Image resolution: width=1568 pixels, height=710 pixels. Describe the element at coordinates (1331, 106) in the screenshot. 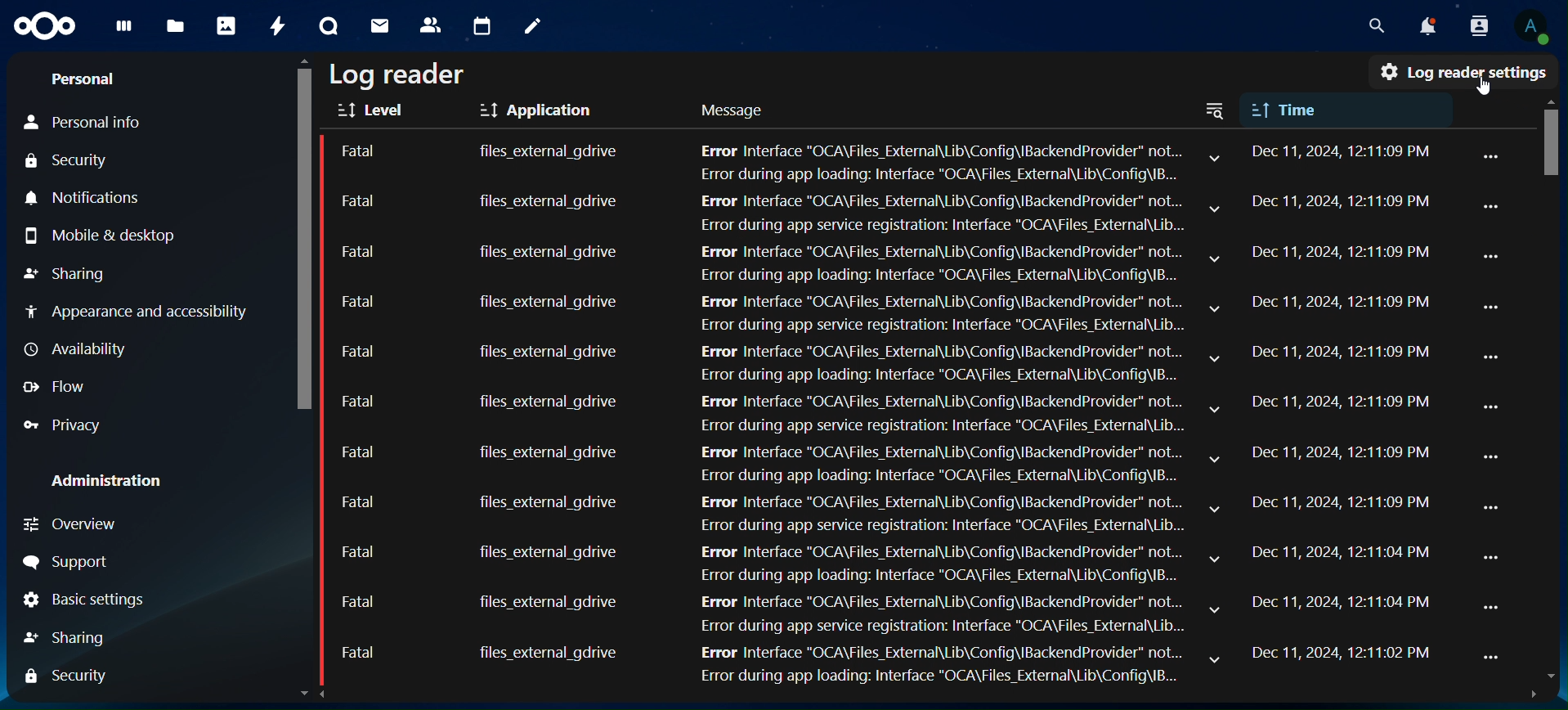

I see `time` at that location.